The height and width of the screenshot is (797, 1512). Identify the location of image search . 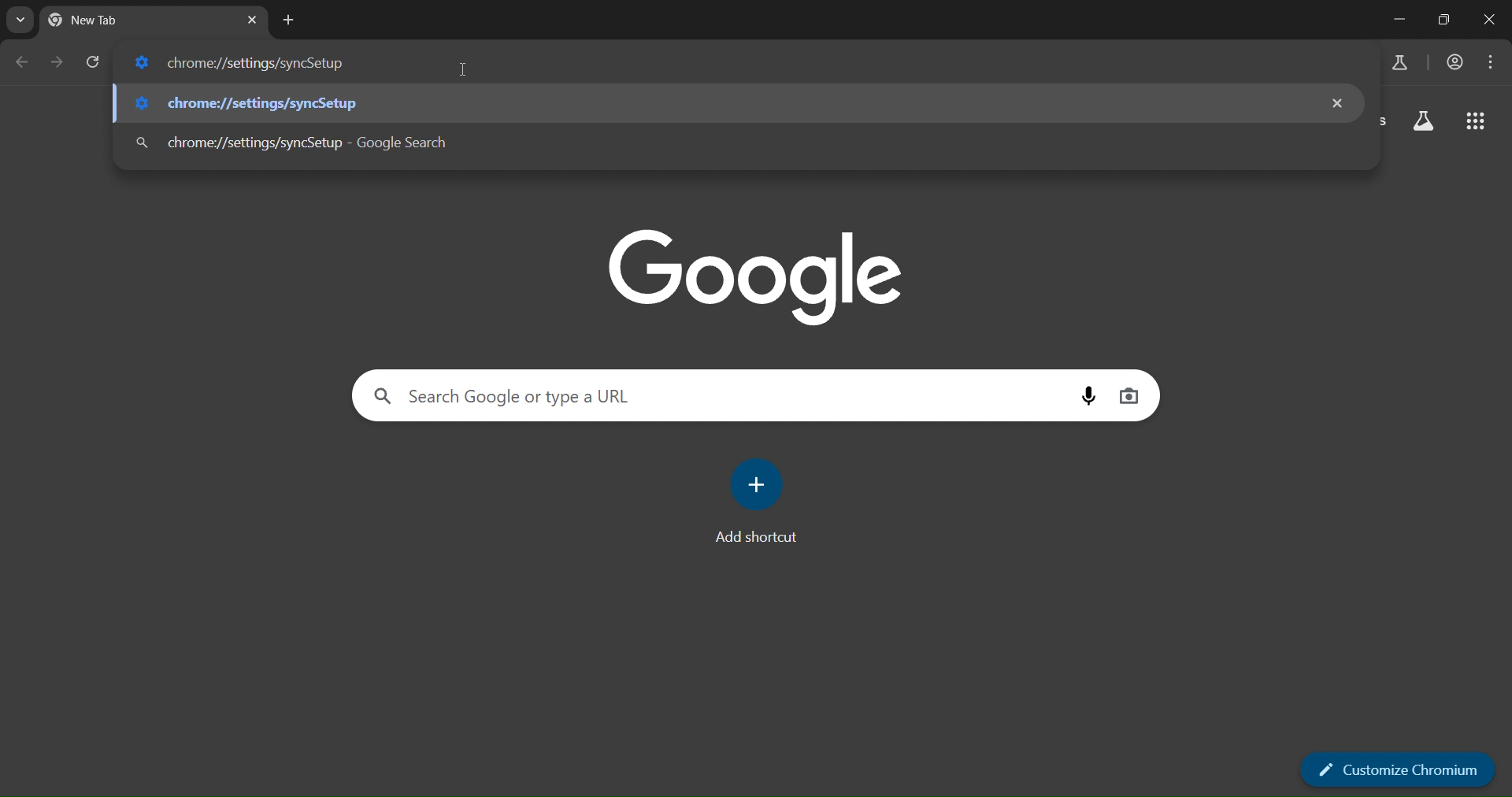
(1132, 395).